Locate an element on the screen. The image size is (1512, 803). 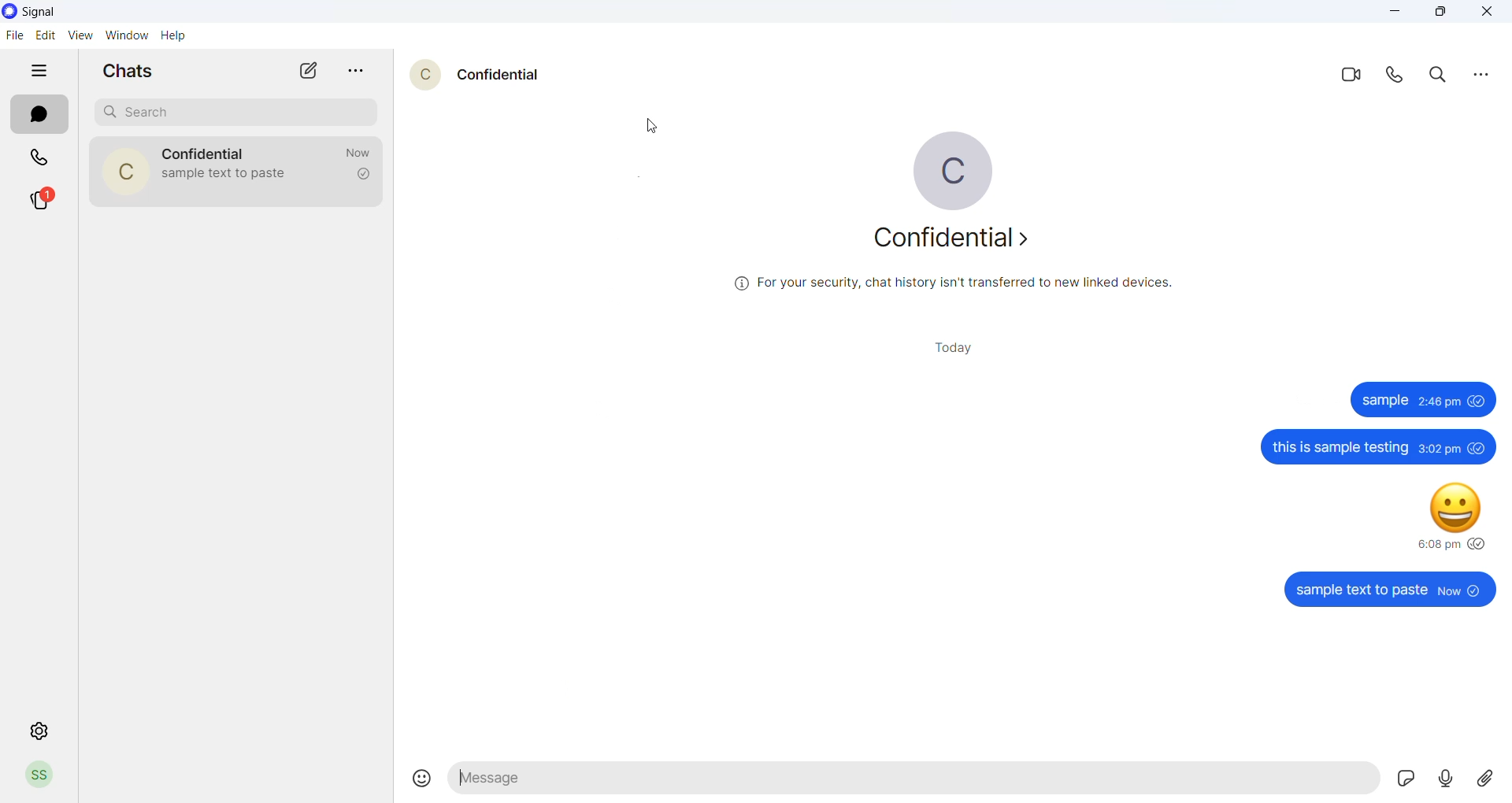
about contact is located at coordinates (958, 246).